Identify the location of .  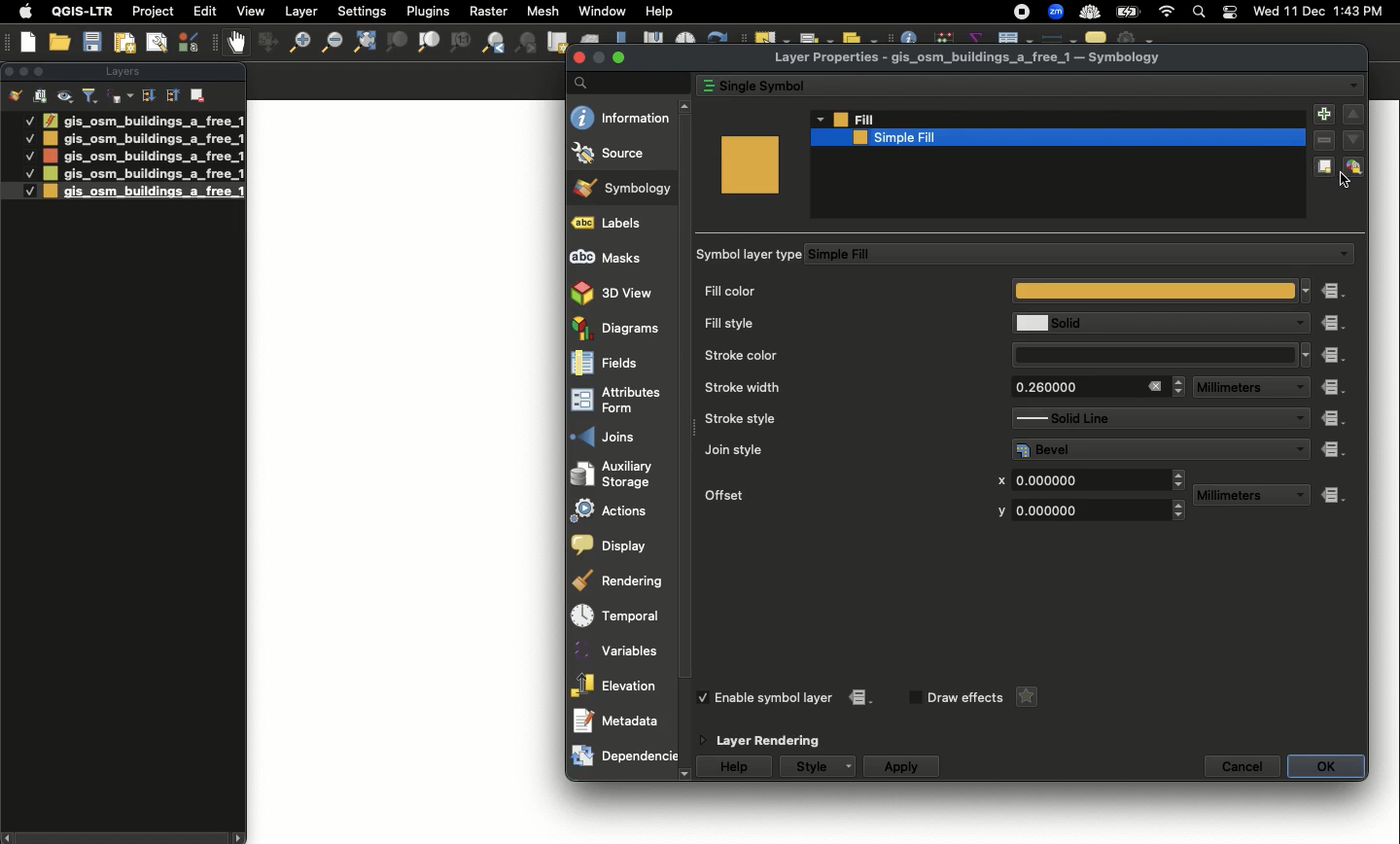
(1056, 12).